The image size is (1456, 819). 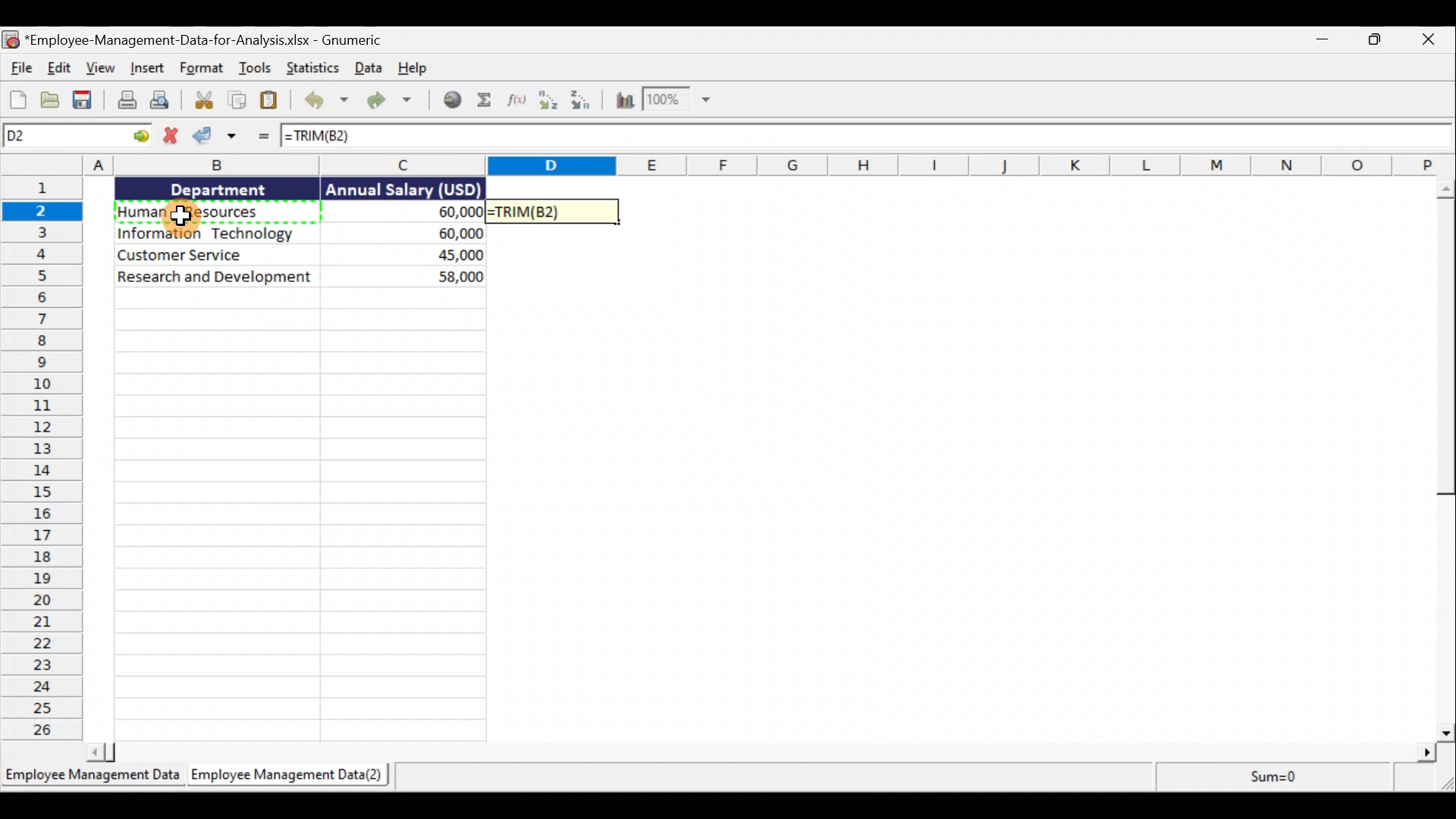 What do you see at coordinates (57, 66) in the screenshot?
I see `Edit` at bounding box center [57, 66].